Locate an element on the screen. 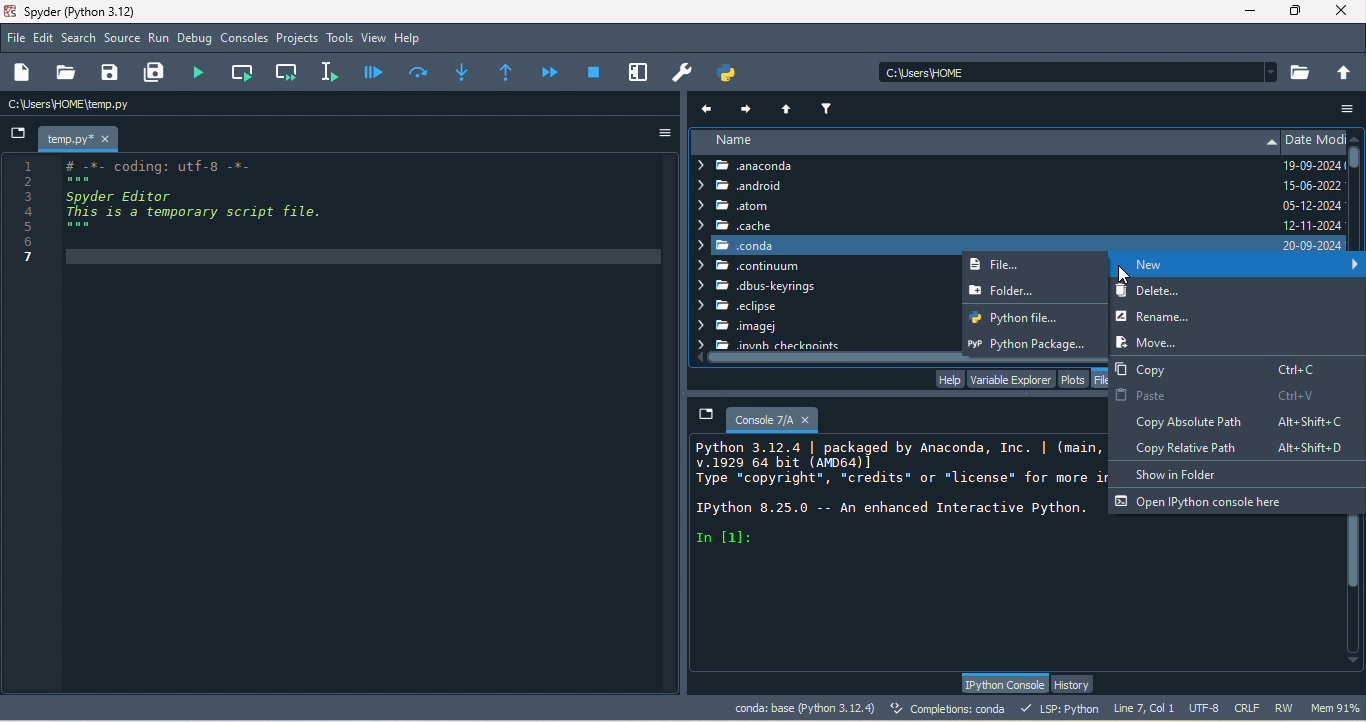  stop debugging is located at coordinates (594, 71).